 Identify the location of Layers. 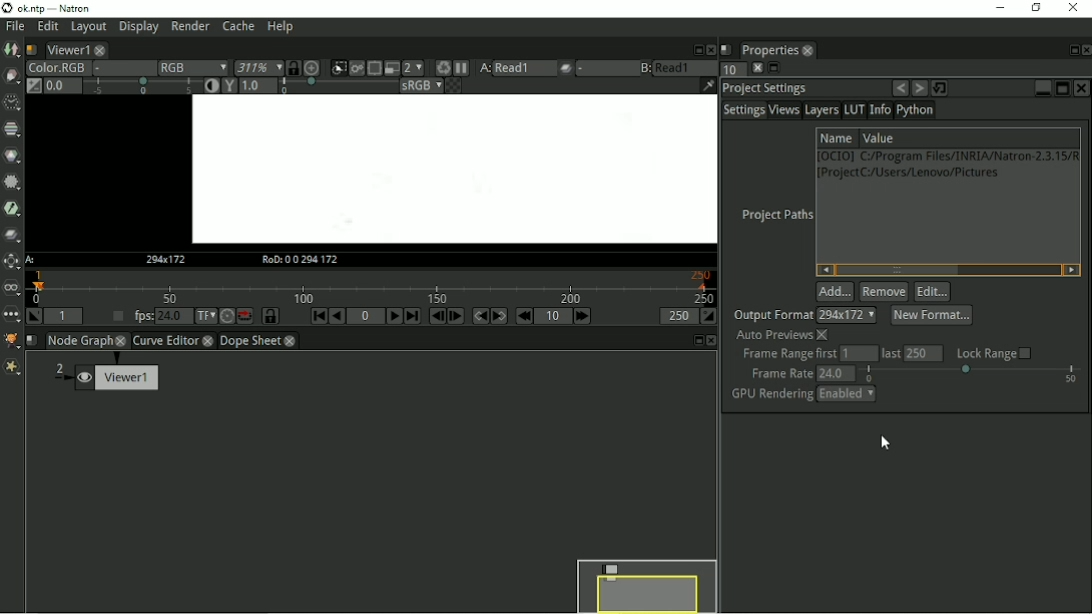
(821, 110).